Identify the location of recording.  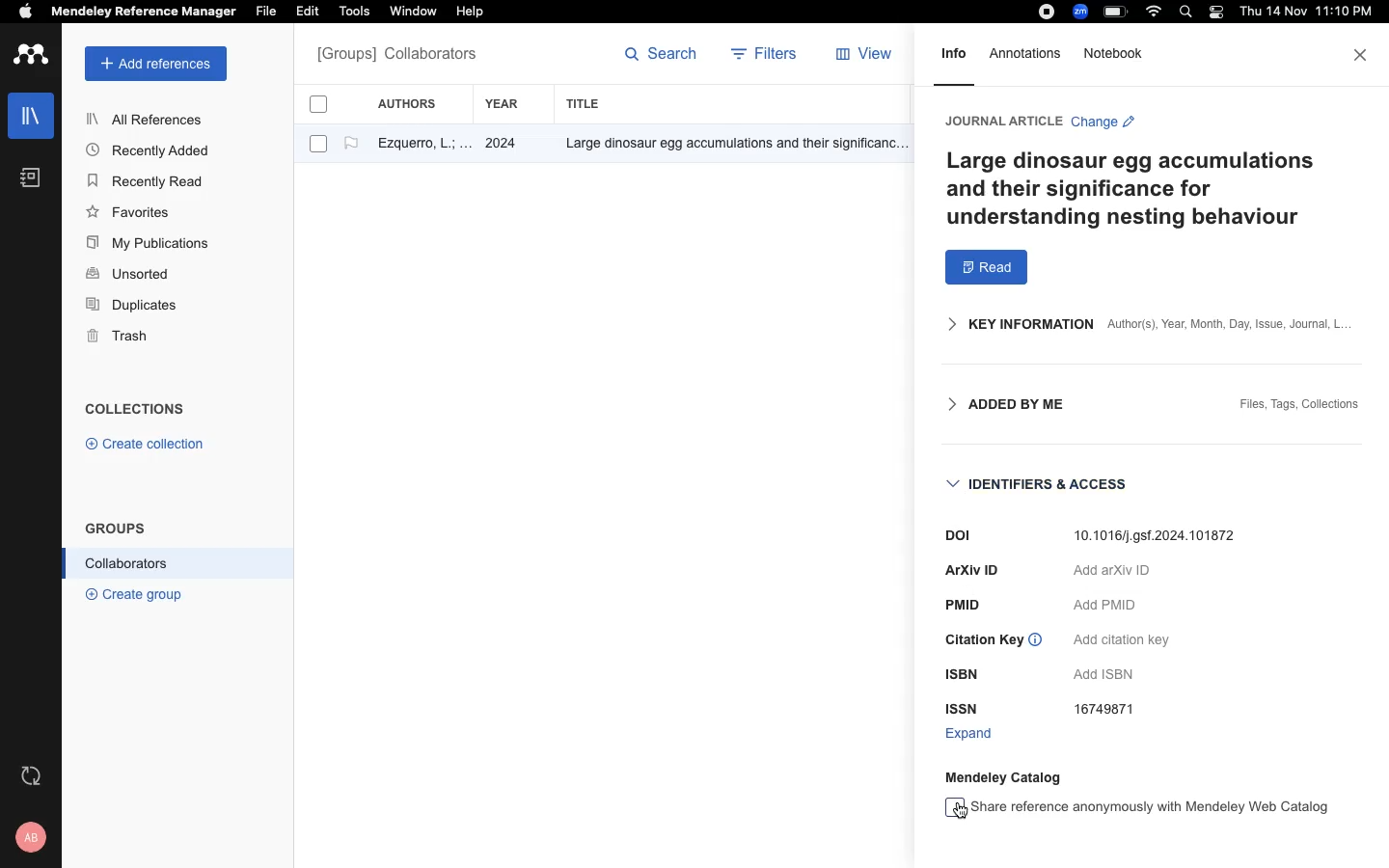
(1044, 13).